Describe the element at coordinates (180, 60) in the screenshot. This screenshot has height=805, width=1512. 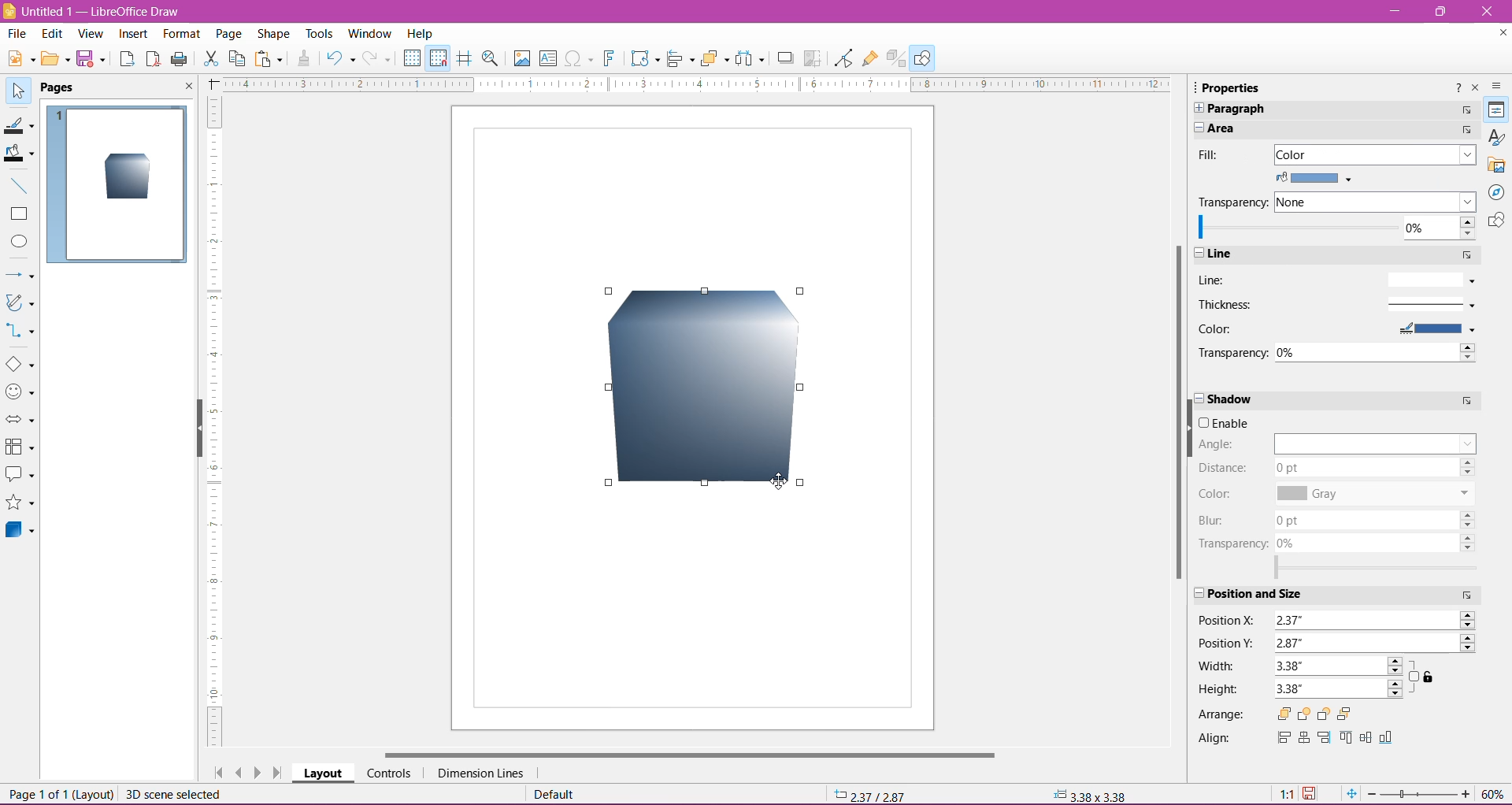
I see `Print` at that location.